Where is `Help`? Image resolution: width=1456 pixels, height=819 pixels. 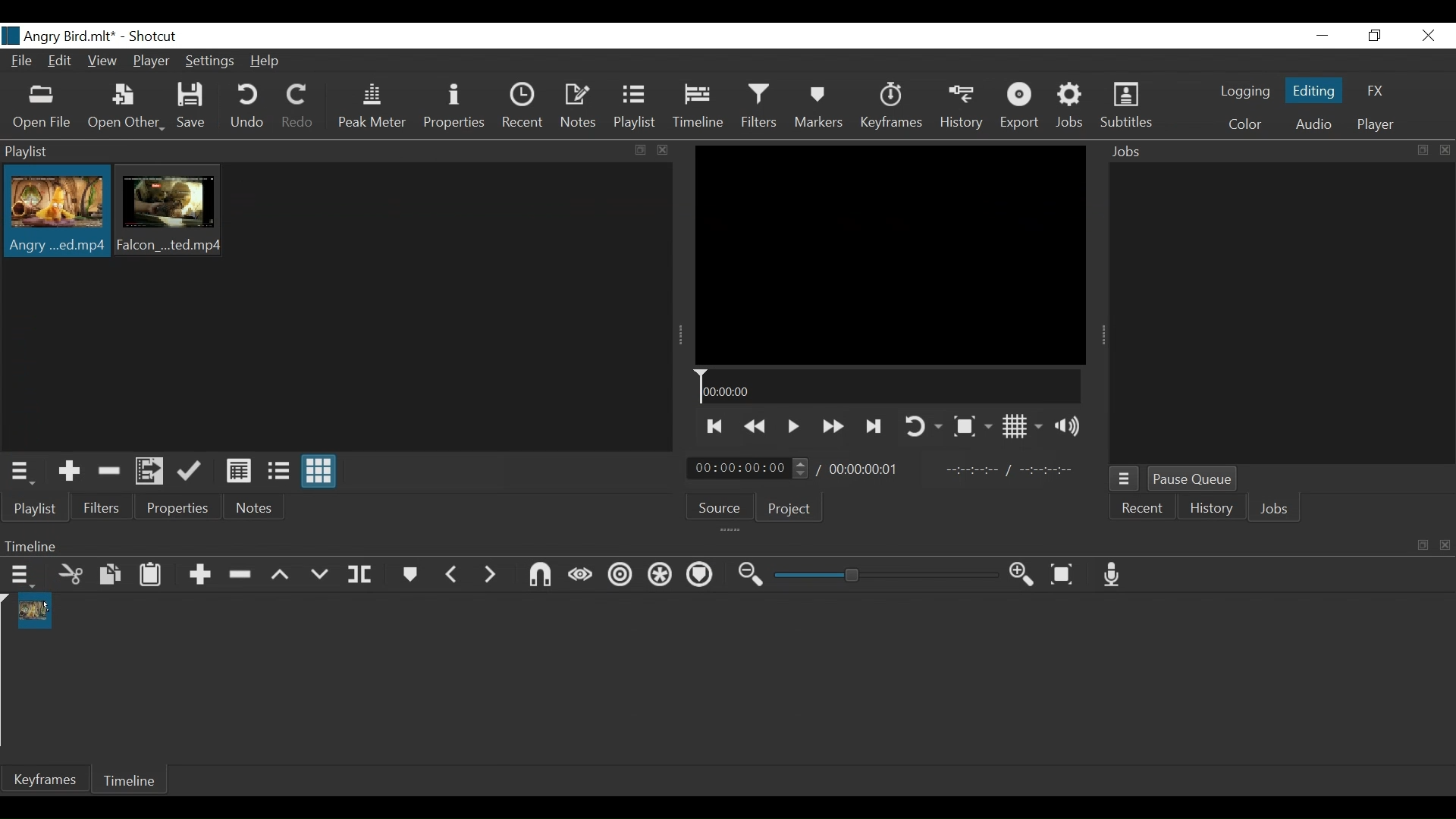 Help is located at coordinates (269, 61).